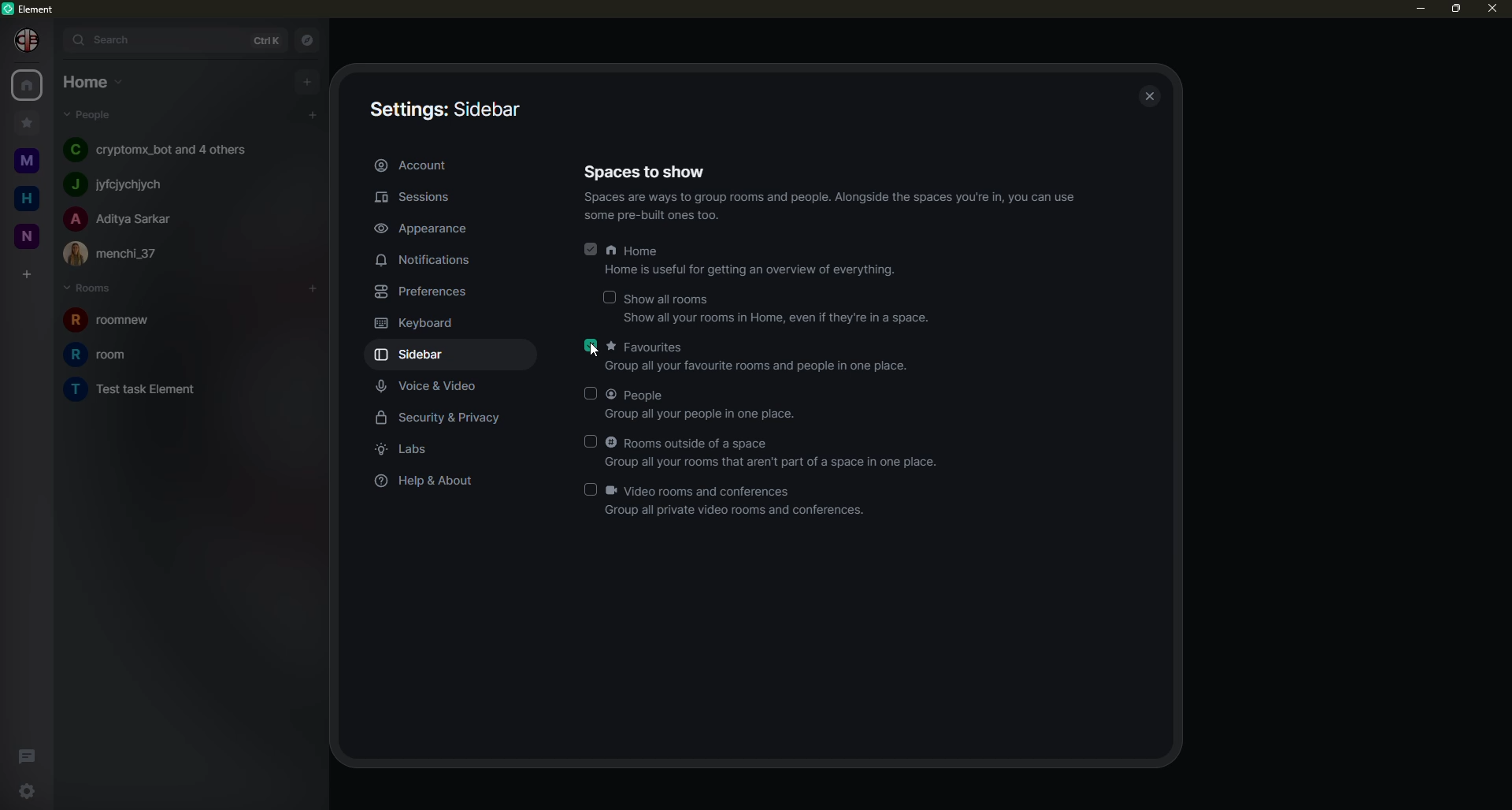  I want to click on labs, so click(406, 451).